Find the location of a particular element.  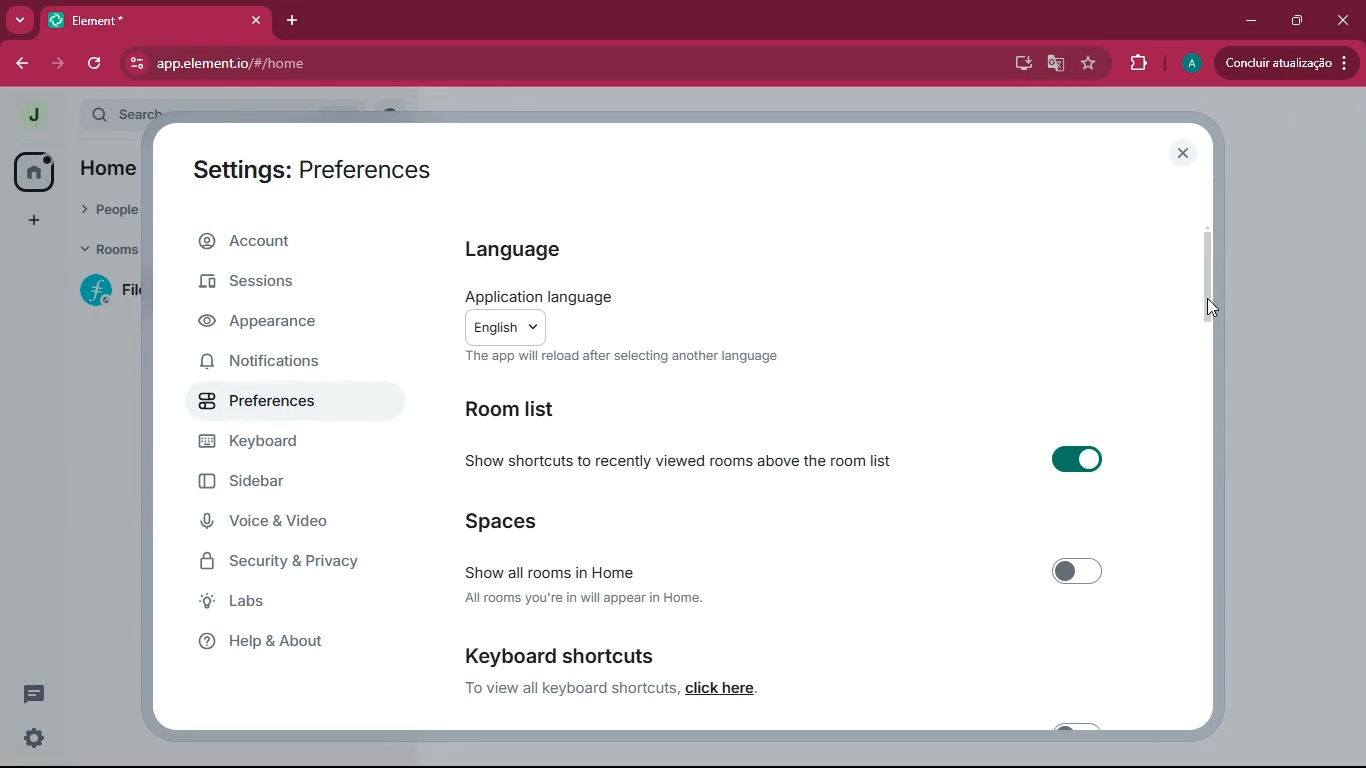

account is located at coordinates (285, 241).